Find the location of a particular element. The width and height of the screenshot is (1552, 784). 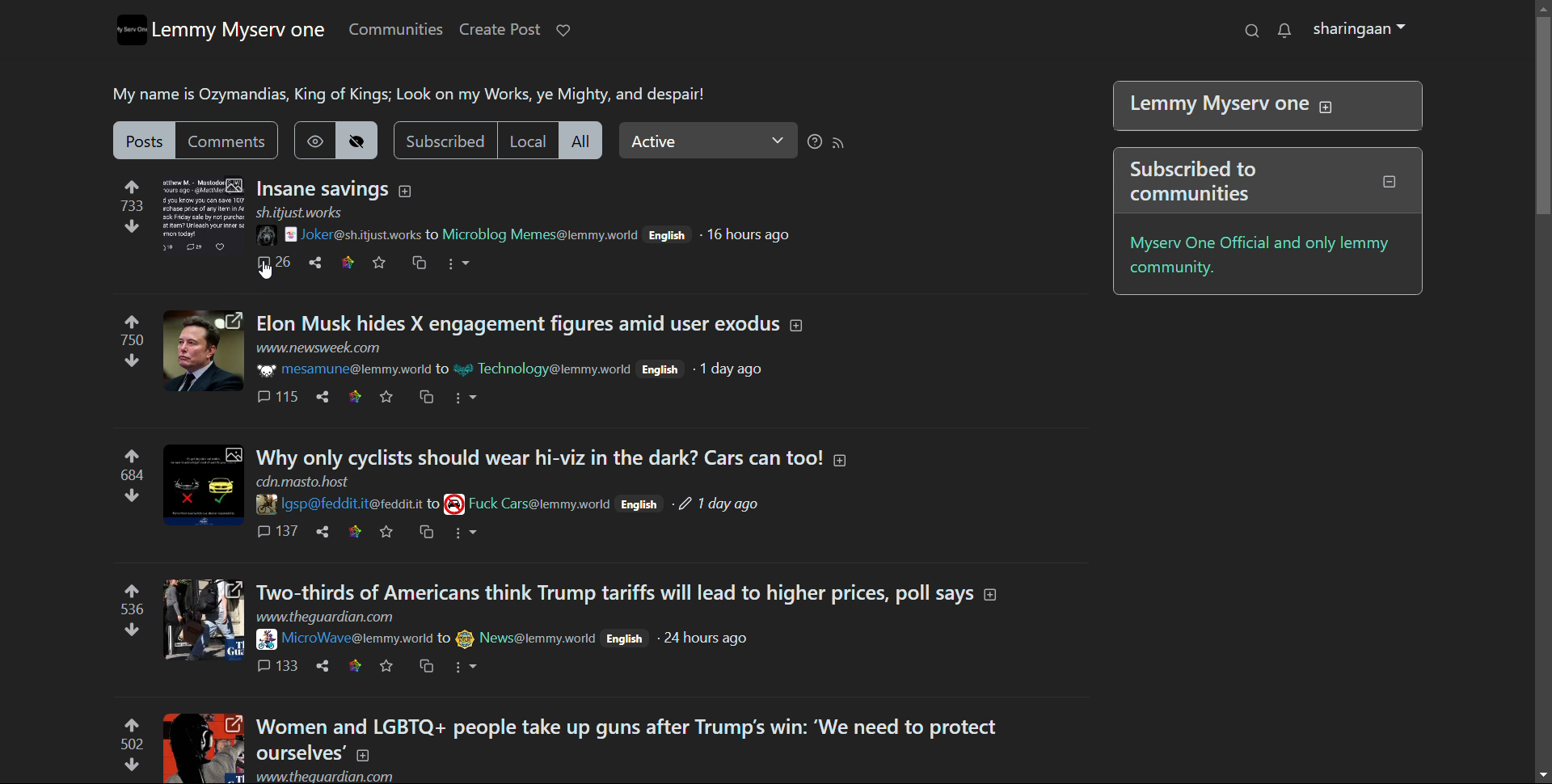

time of post is located at coordinates (752, 235).